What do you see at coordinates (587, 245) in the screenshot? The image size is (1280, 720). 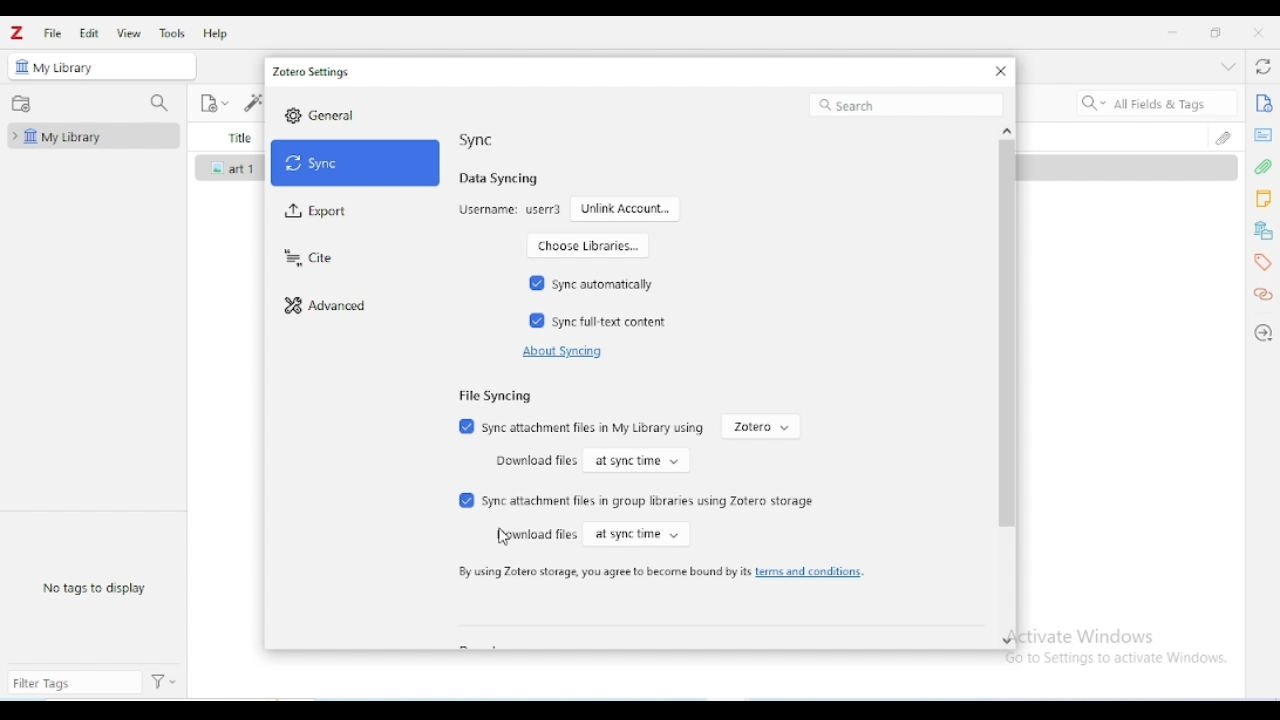 I see `choose libraries` at bounding box center [587, 245].